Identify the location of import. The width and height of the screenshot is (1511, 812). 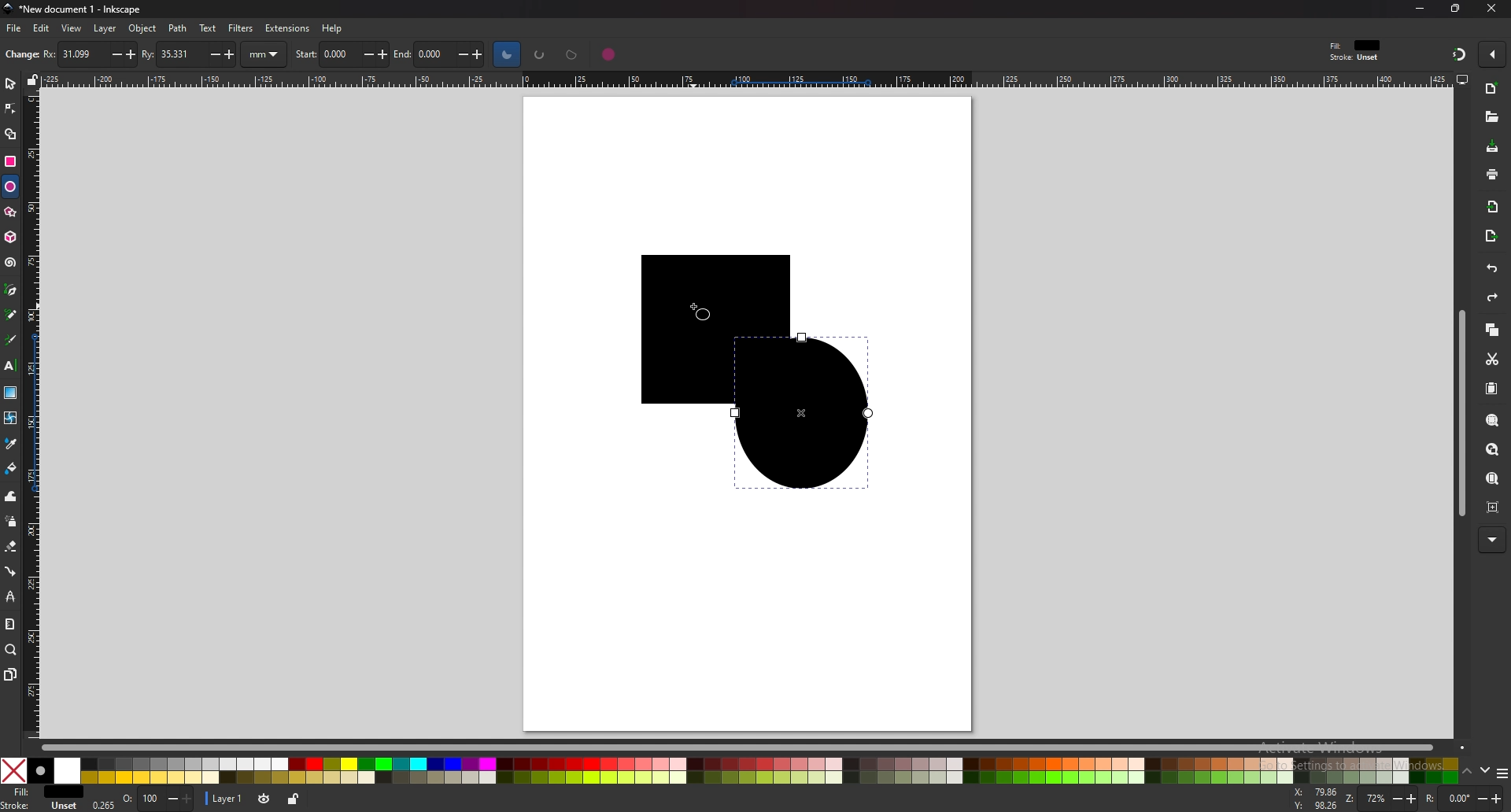
(1492, 207).